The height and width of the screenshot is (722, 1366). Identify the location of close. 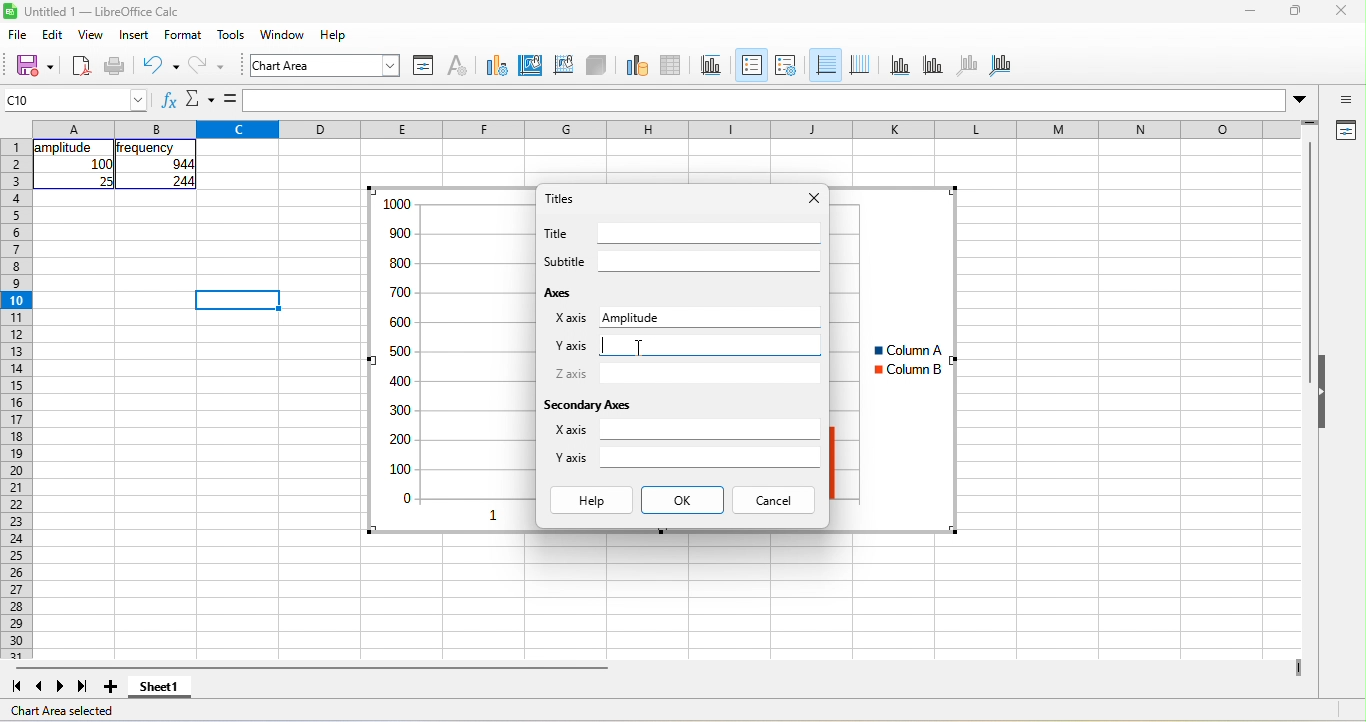
(815, 198).